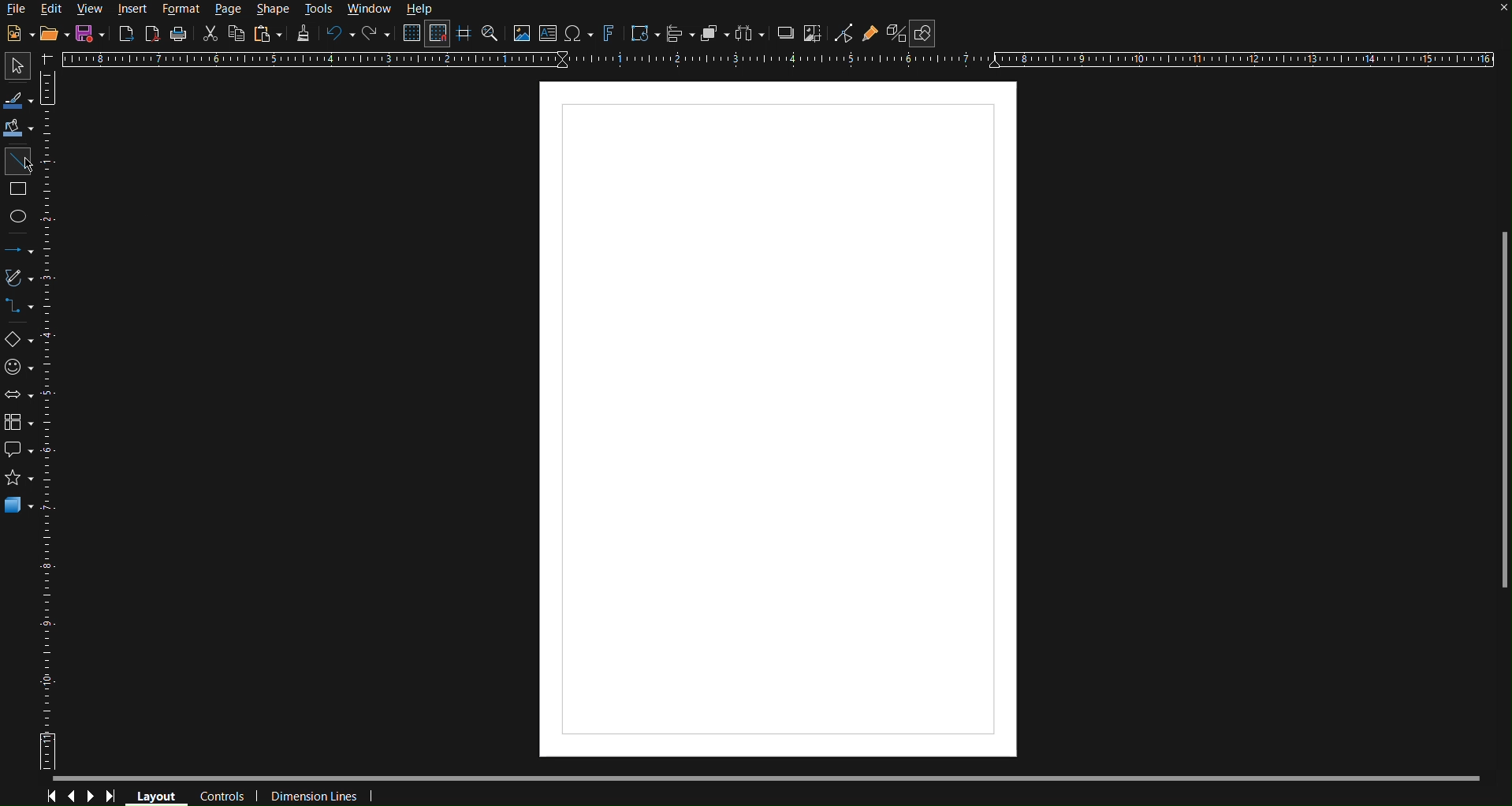 This screenshot has width=1512, height=806. What do you see at coordinates (782, 61) in the screenshot?
I see `Horizontal Ruler` at bounding box center [782, 61].